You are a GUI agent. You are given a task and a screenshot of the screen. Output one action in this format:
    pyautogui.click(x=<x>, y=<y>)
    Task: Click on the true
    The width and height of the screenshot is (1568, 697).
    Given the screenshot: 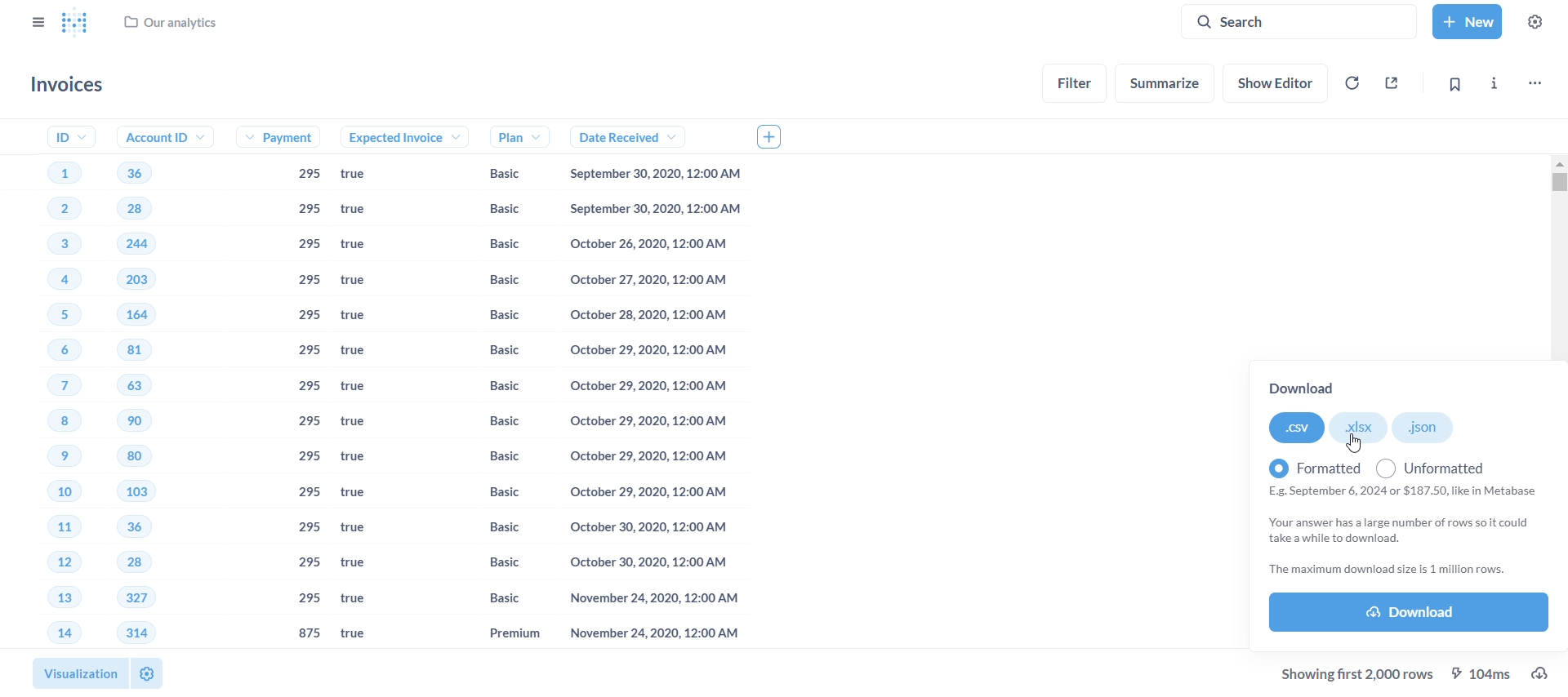 What is the action you would take?
    pyautogui.click(x=362, y=458)
    